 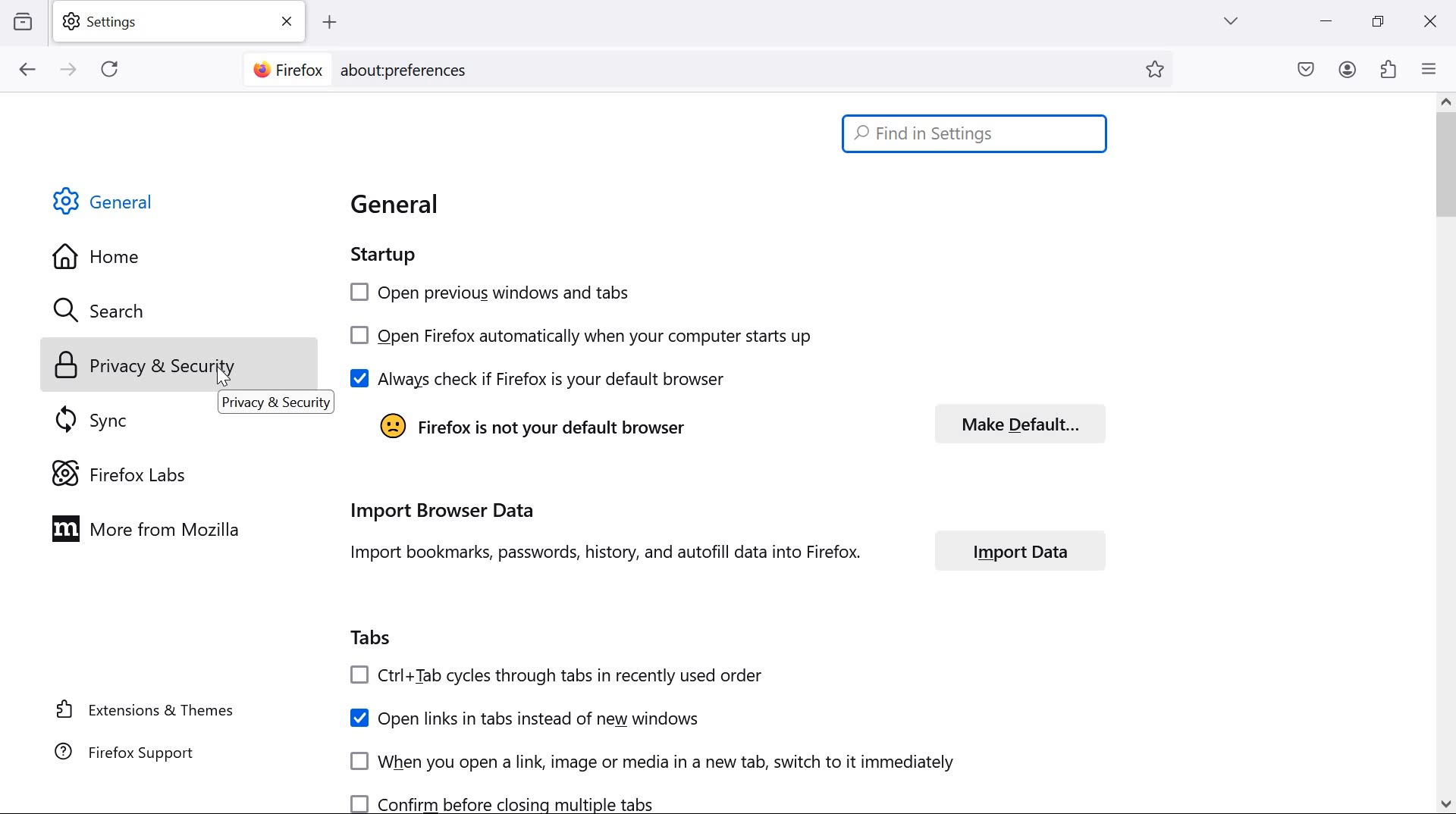 What do you see at coordinates (132, 472) in the screenshot?
I see `Firefox Labs` at bounding box center [132, 472].